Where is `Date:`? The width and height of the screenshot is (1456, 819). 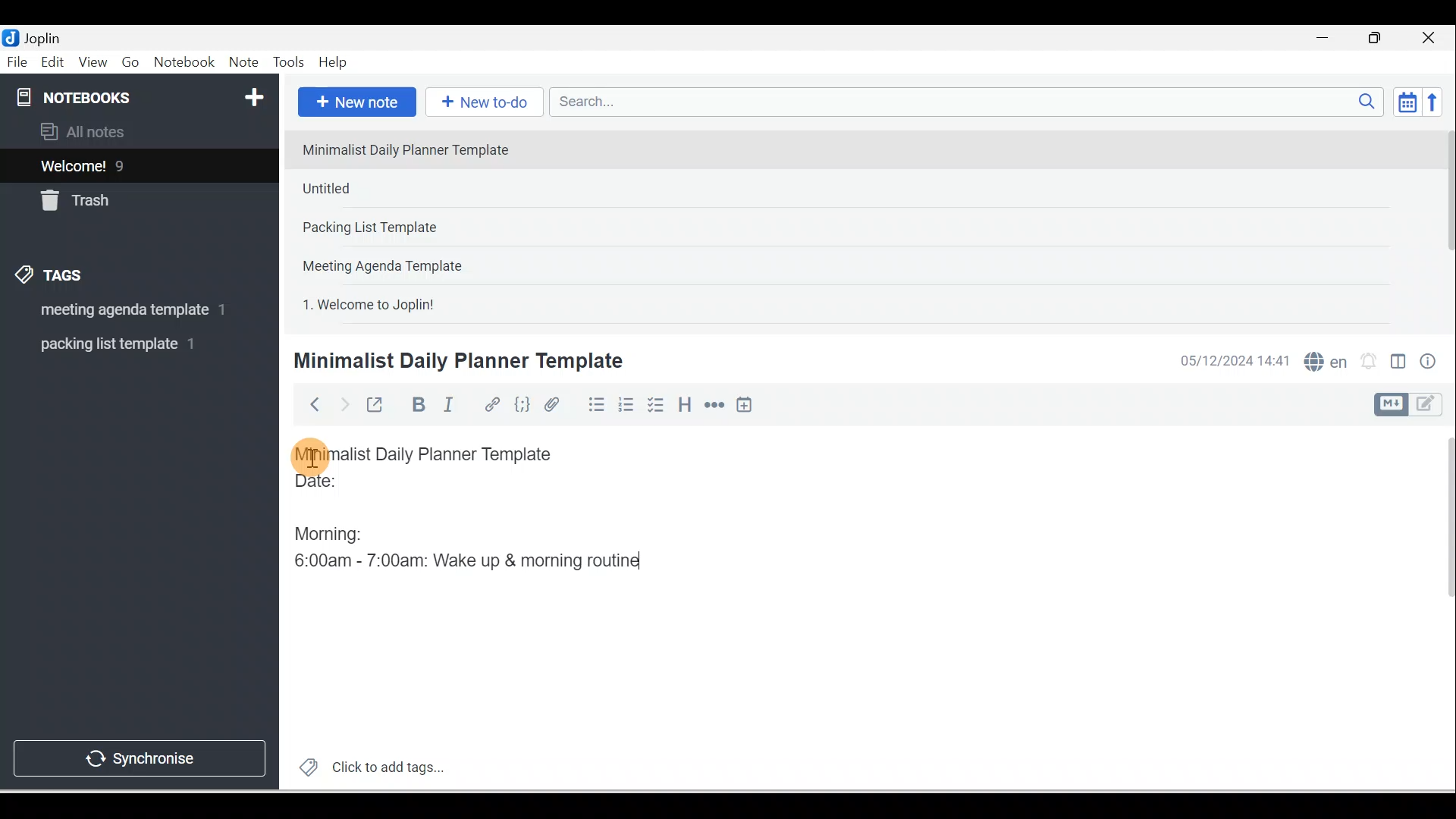 Date: is located at coordinates (359, 488).